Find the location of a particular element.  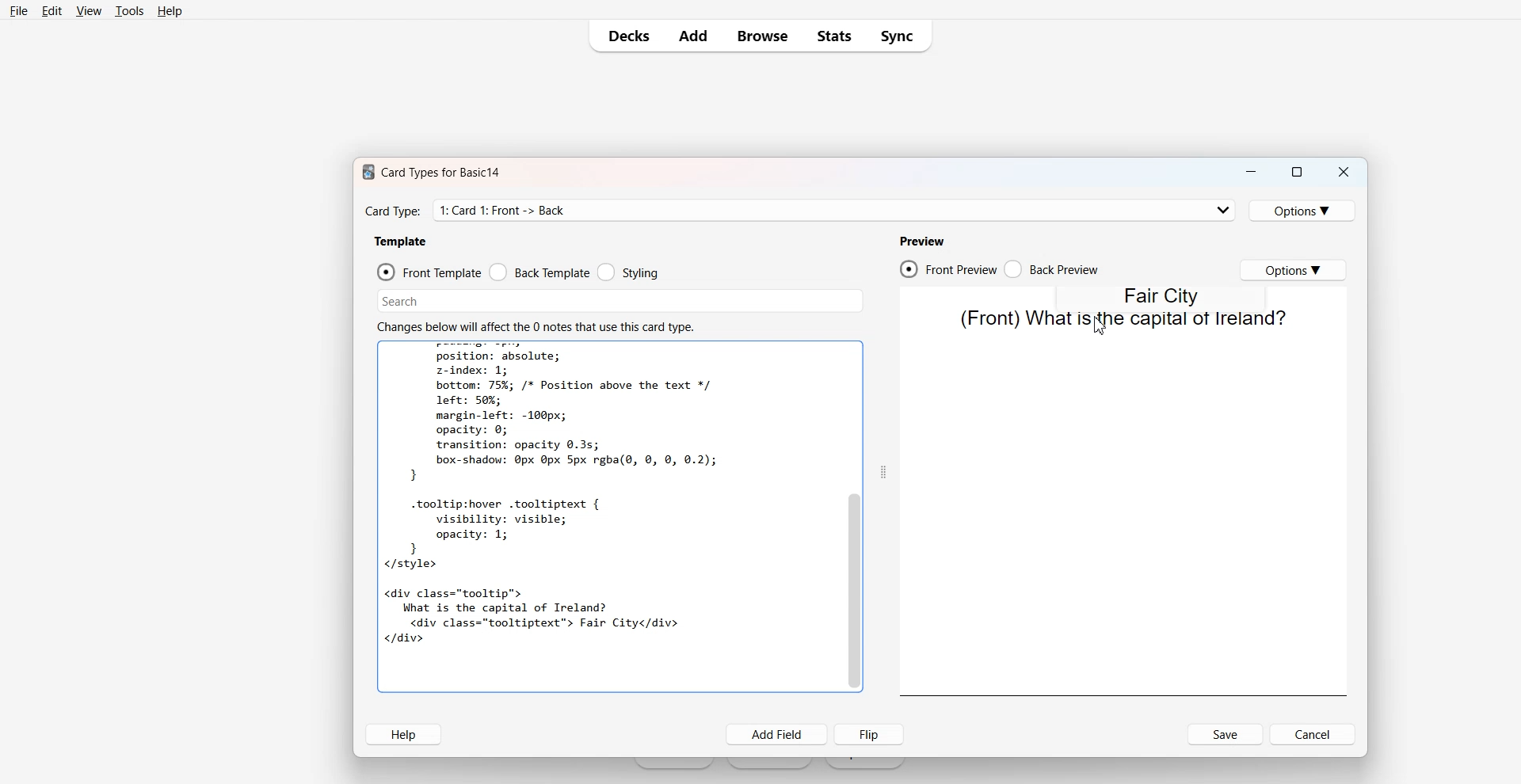

Sync is located at coordinates (900, 36).